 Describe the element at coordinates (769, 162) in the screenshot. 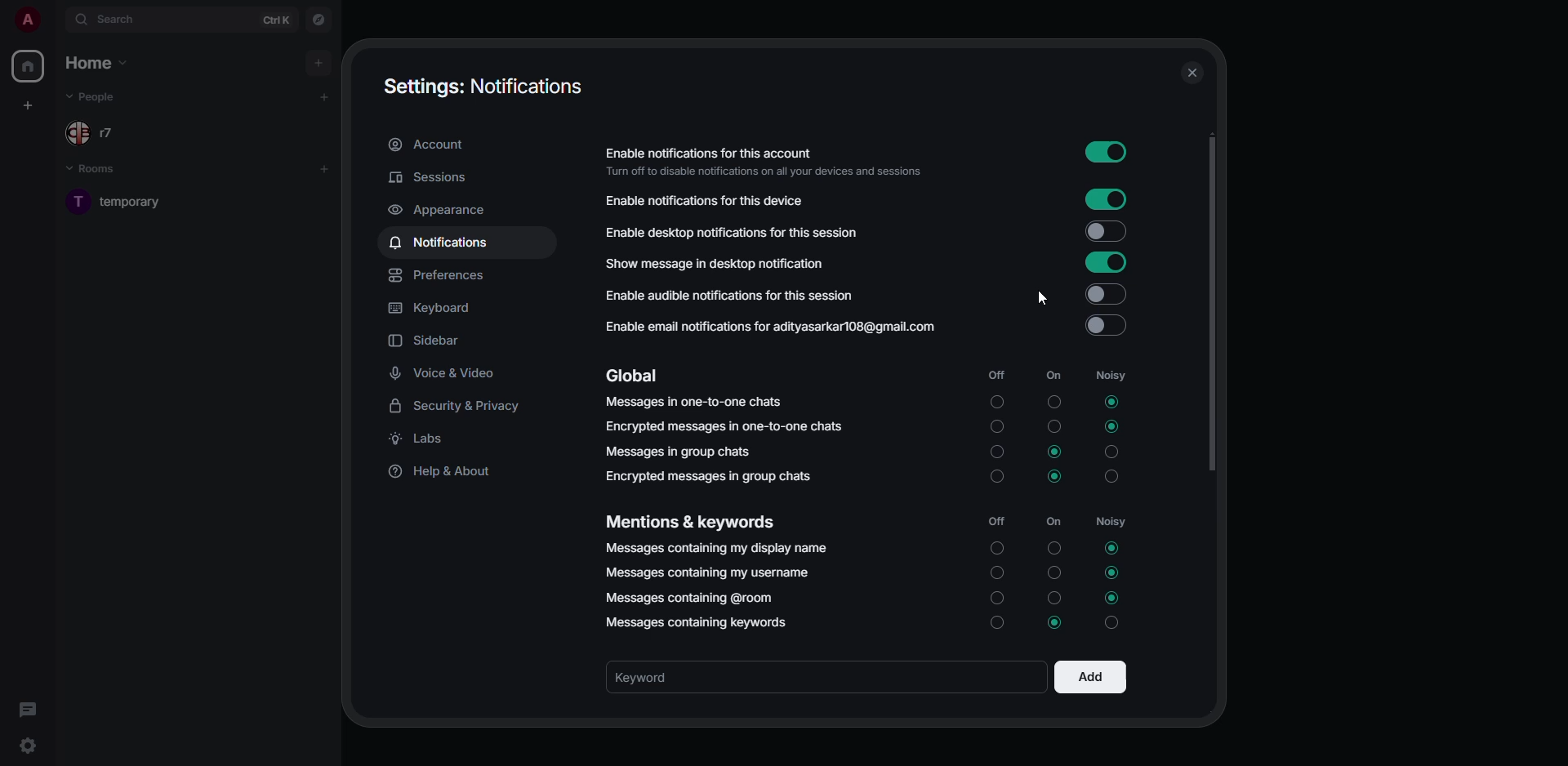

I see `enable notifications for this account` at that location.